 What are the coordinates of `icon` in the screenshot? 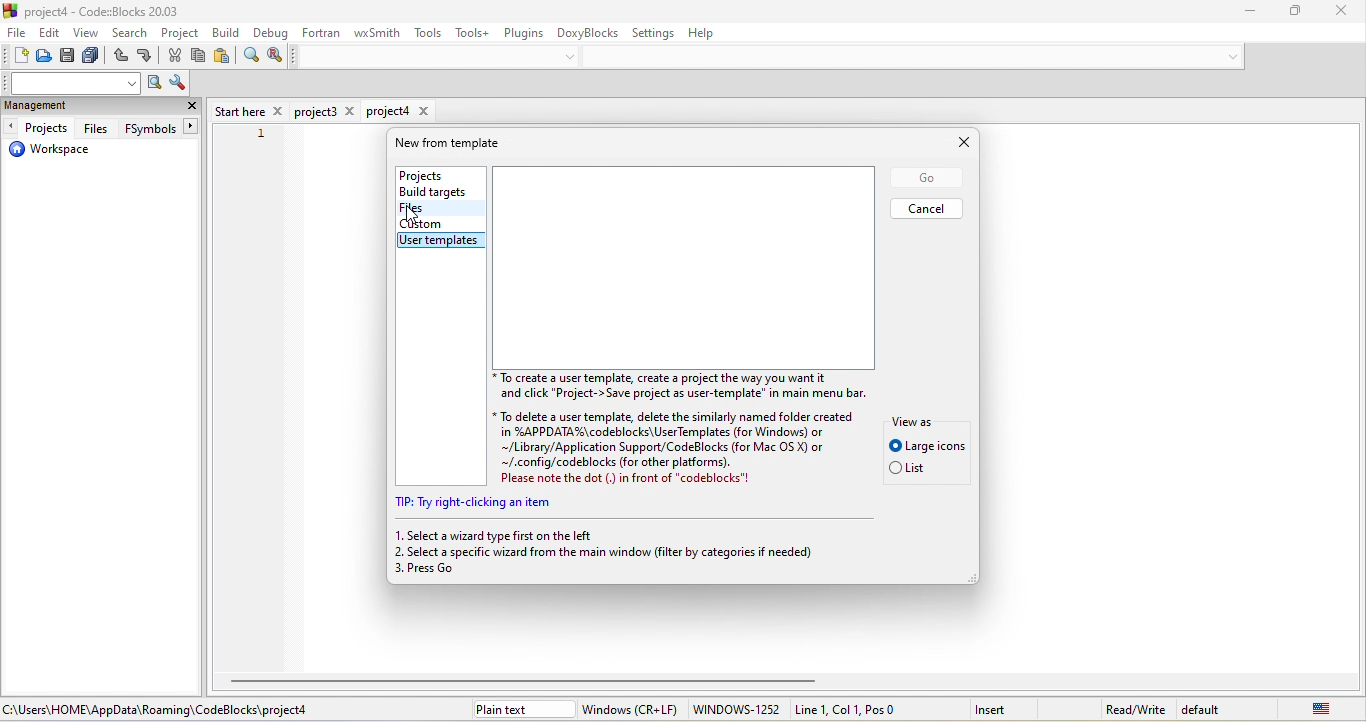 It's located at (12, 10).